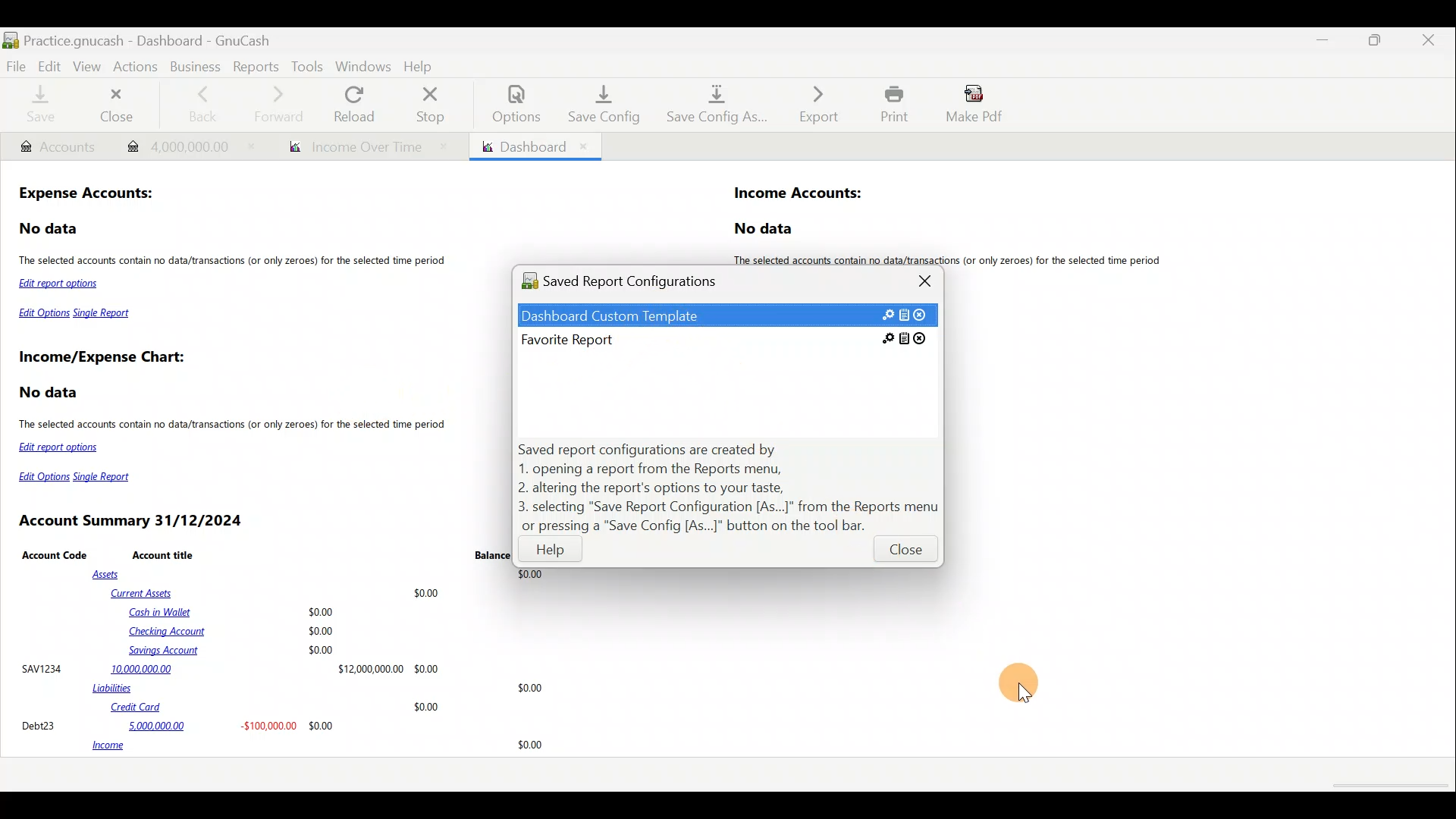 The width and height of the screenshot is (1456, 819). I want to click on Transaction, so click(184, 145).